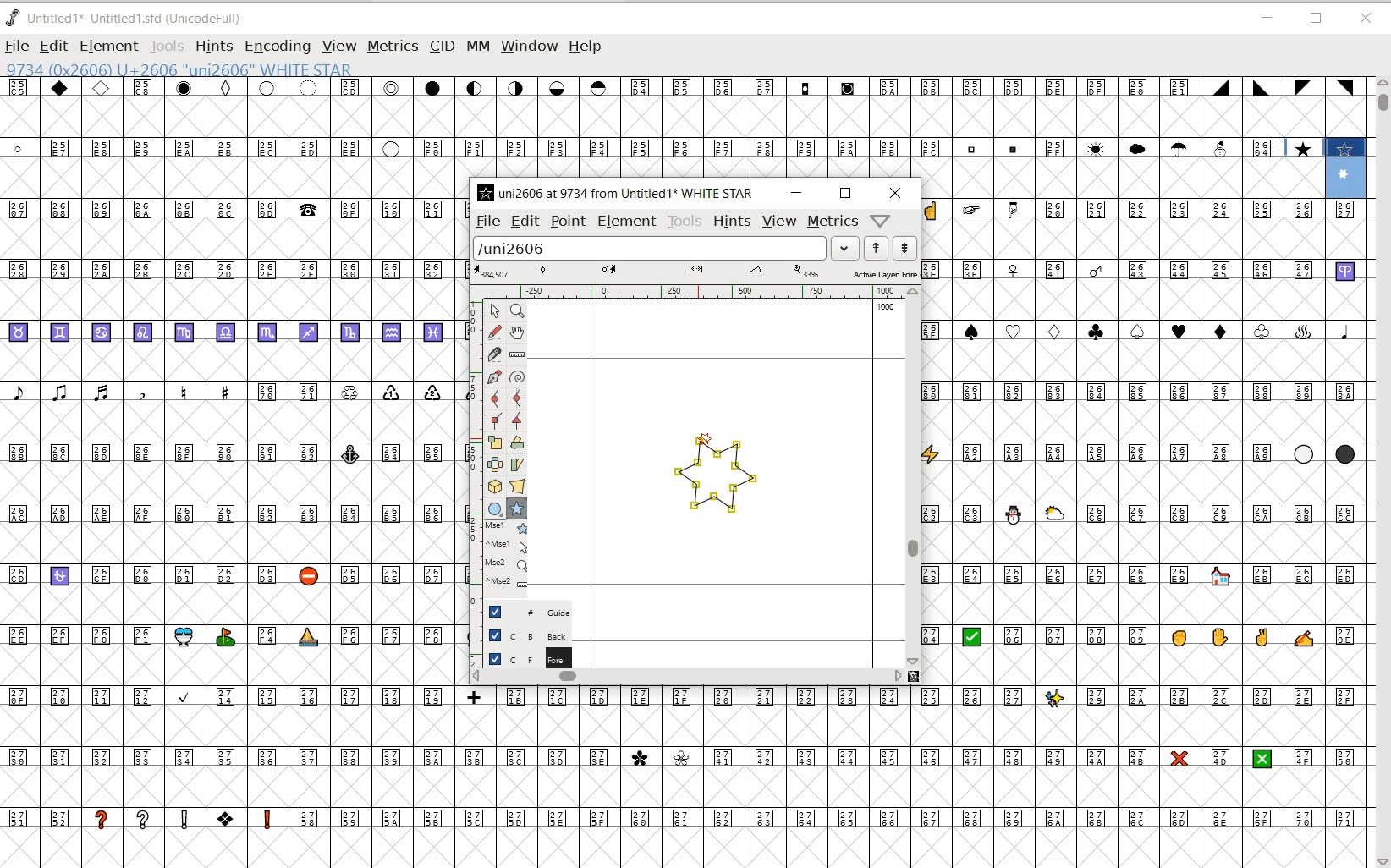 This screenshot has width=1391, height=868. I want to click on VIEW, so click(338, 47).